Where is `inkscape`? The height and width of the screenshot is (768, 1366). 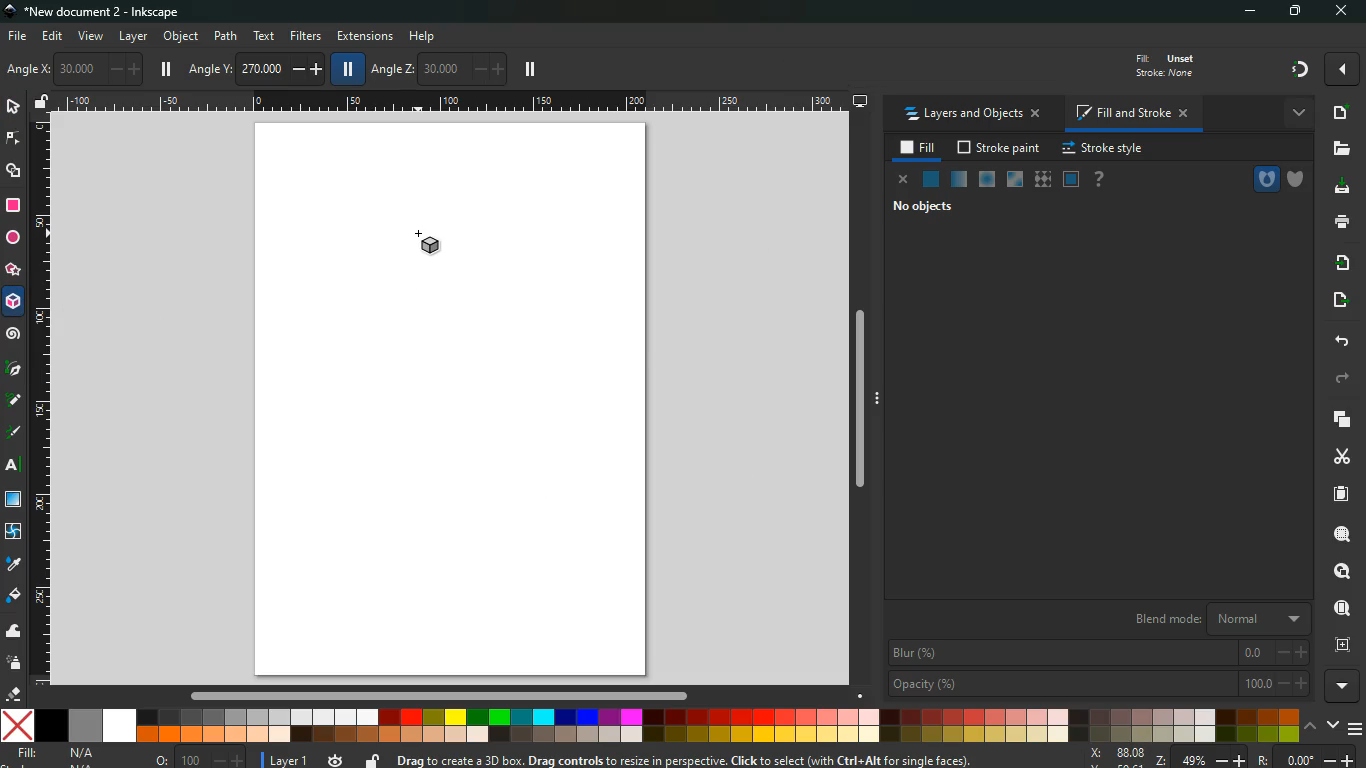
inkscape is located at coordinates (98, 13).